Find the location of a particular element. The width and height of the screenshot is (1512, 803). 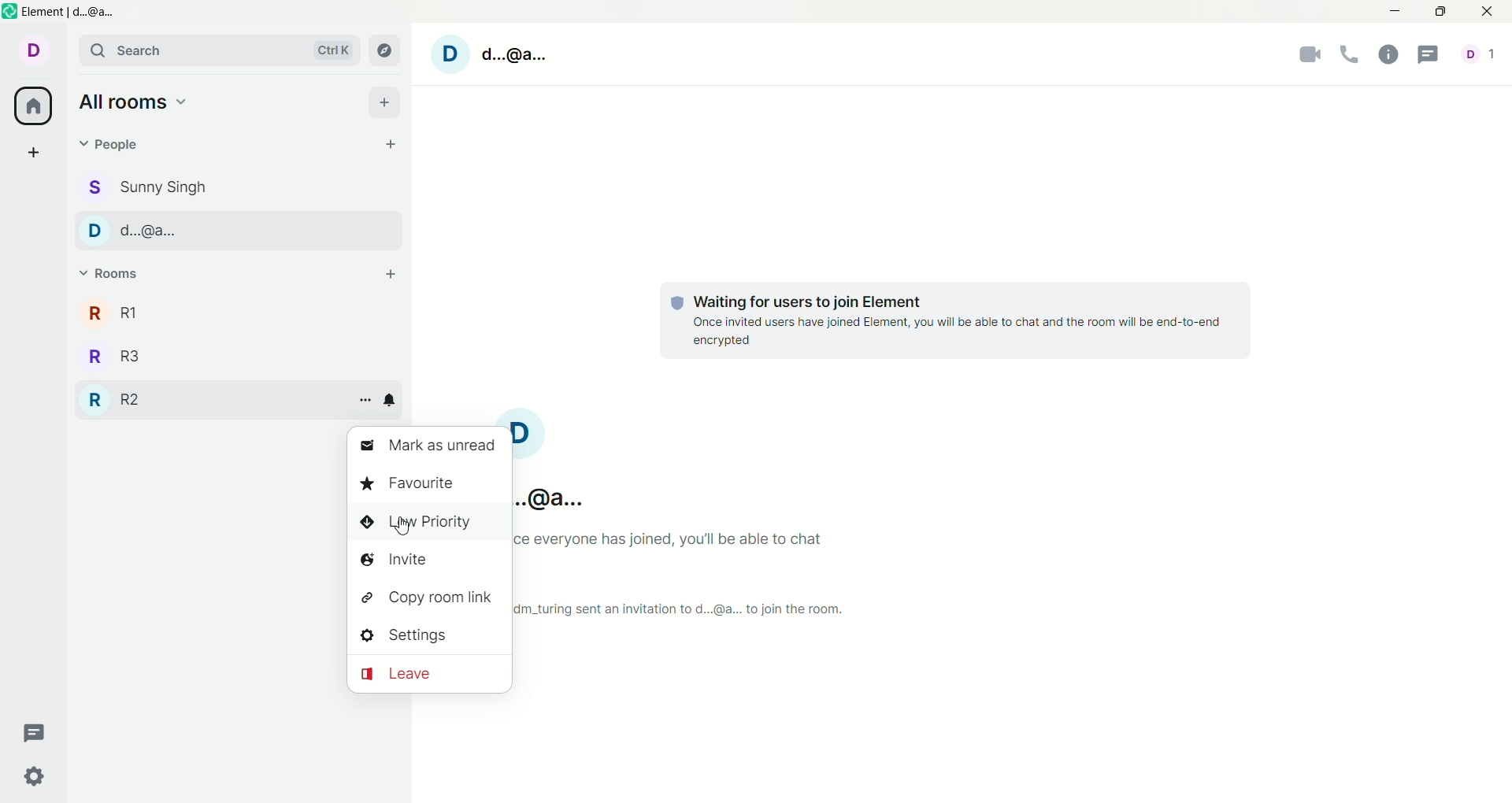

element is located at coordinates (63, 12).